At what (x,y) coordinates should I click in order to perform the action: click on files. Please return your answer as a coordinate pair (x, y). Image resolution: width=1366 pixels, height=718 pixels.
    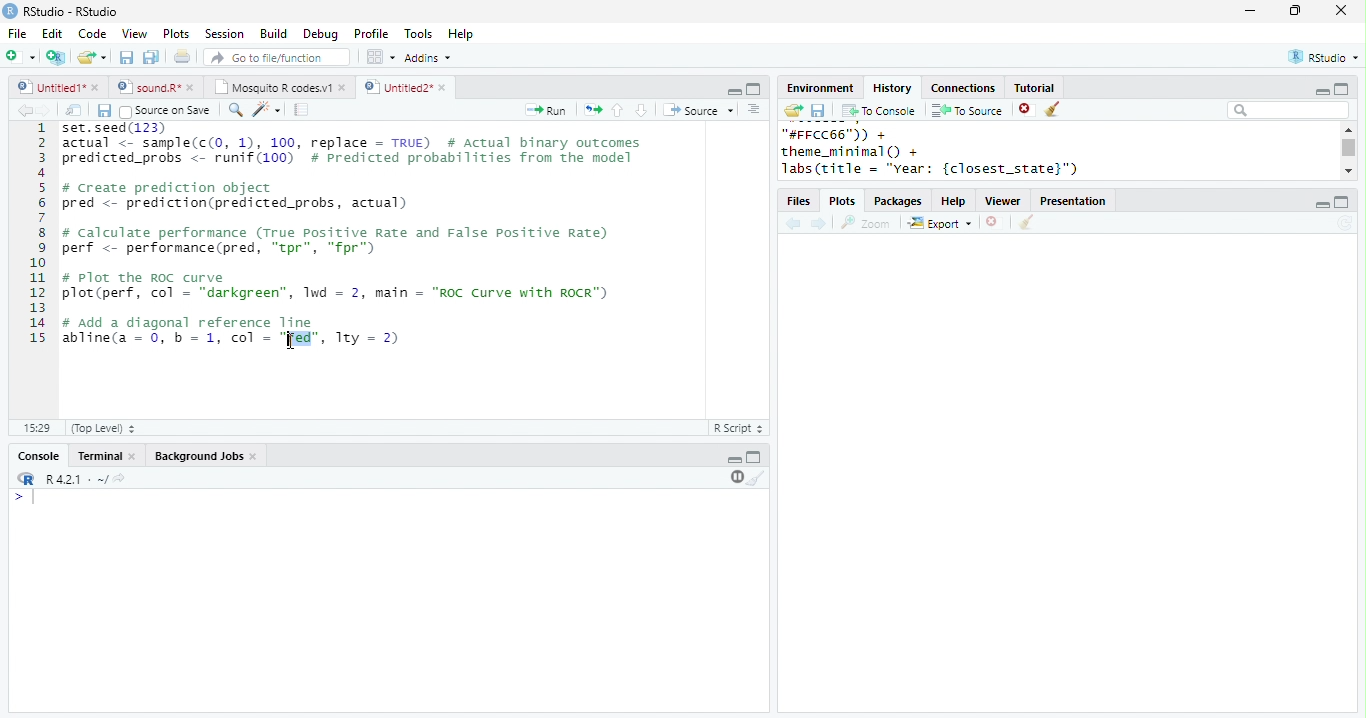
    Looking at the image, I should click on (800, 202).